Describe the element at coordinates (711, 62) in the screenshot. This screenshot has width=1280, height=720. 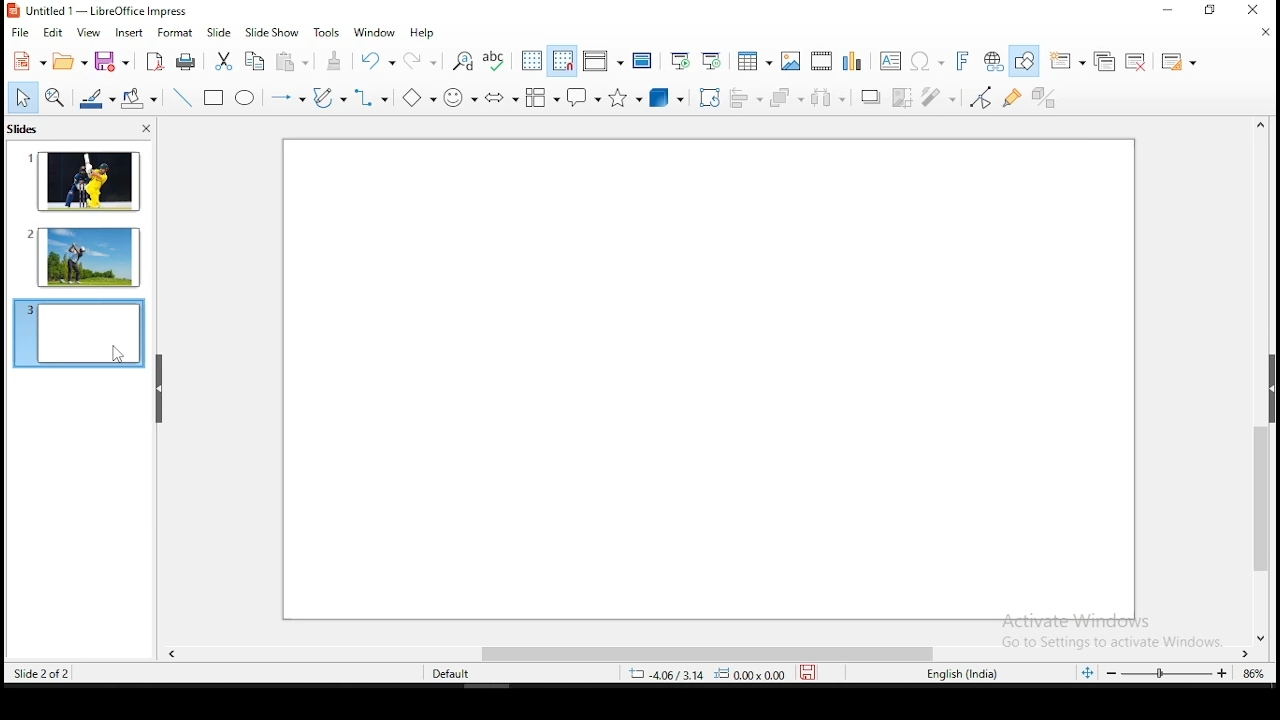
I see `start from current slide` at that location.